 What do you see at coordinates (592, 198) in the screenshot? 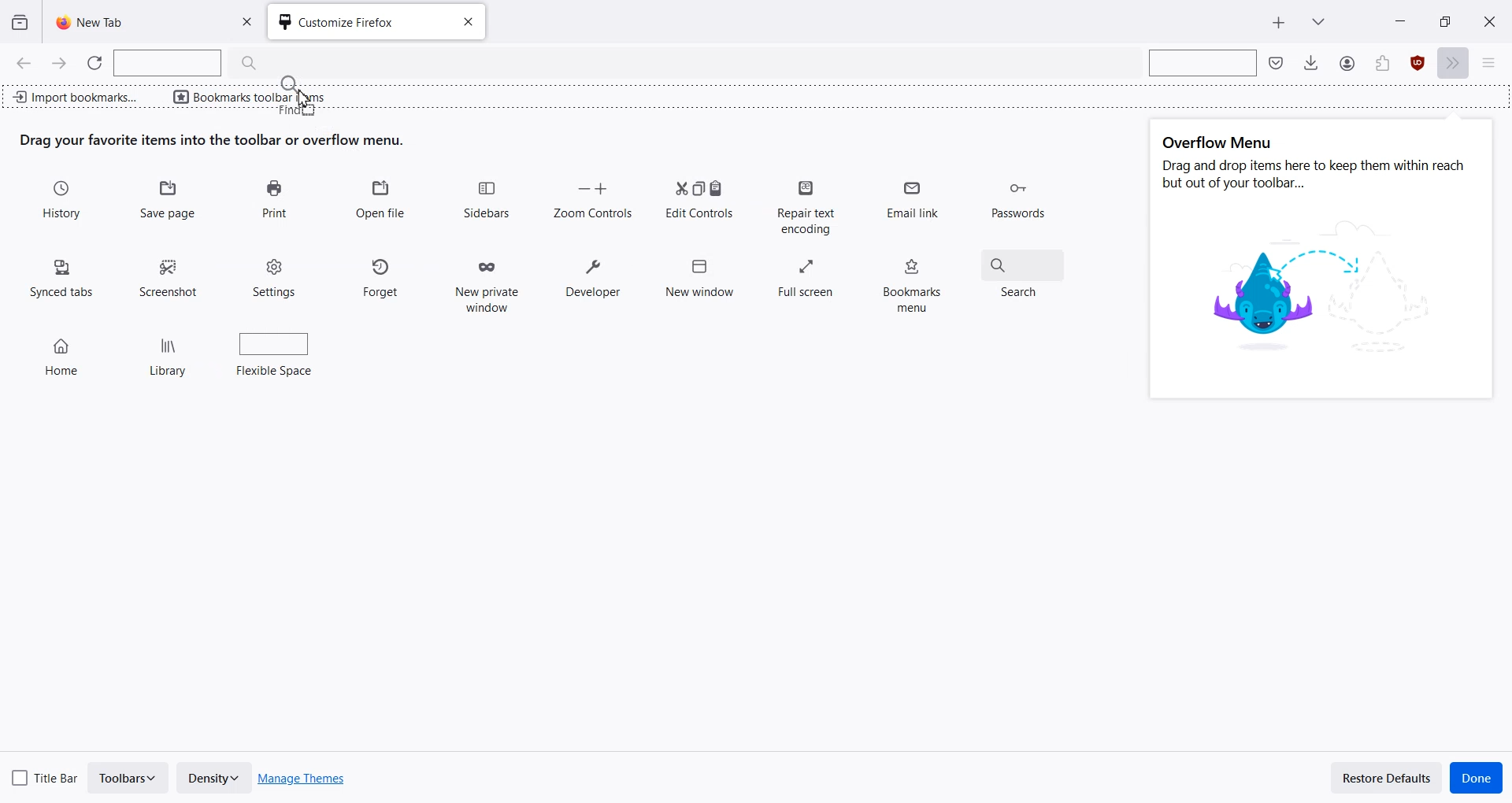
I see `Zoom Controls` at bounding box center [592, 198].